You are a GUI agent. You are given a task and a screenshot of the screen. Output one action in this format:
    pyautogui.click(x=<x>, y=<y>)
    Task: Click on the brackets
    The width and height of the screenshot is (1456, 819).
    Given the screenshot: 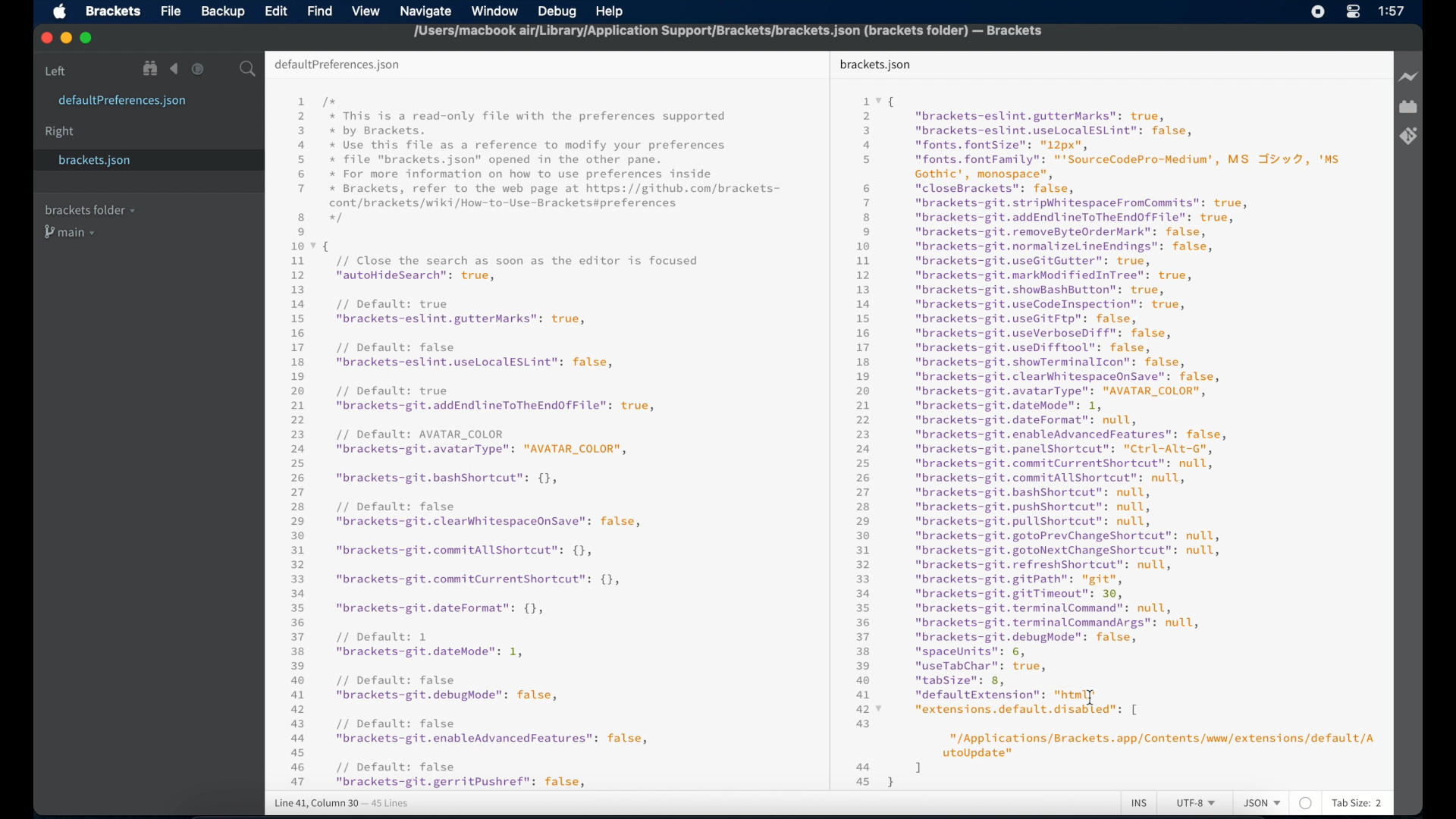 What is the action you would take?
    pyautogui.click(x=114, y=11)
    